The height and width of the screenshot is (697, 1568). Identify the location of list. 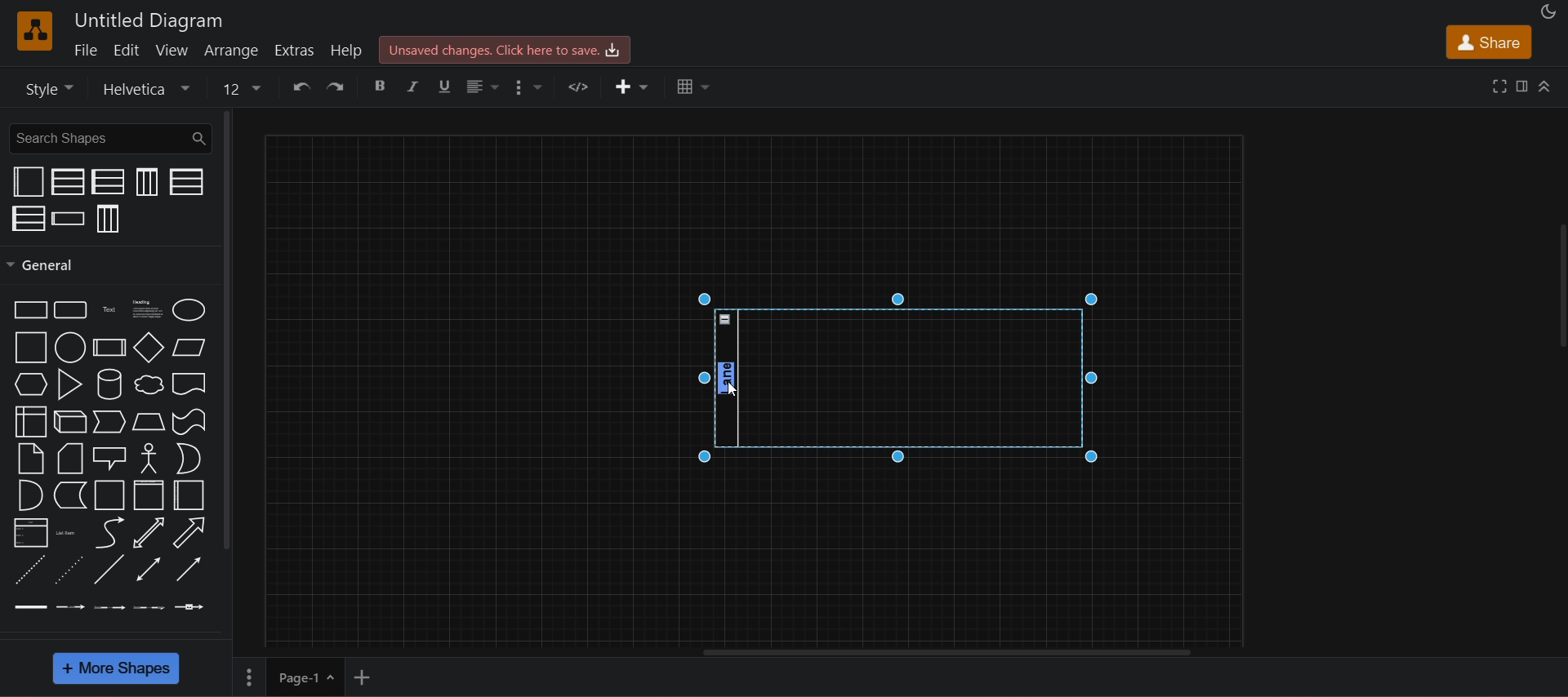
(30, 534).